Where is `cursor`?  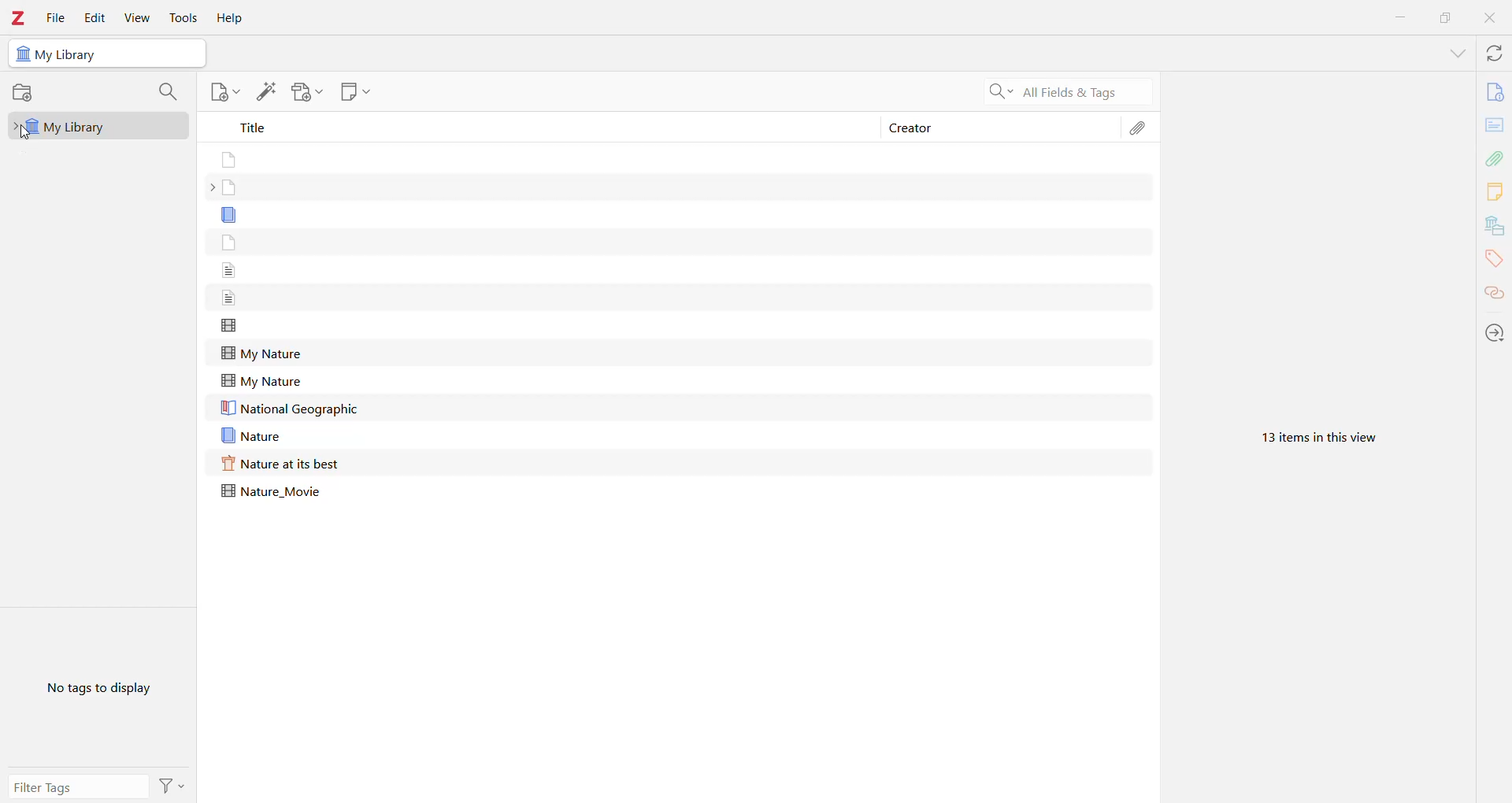
cursor is located at coordinates (31, 134).